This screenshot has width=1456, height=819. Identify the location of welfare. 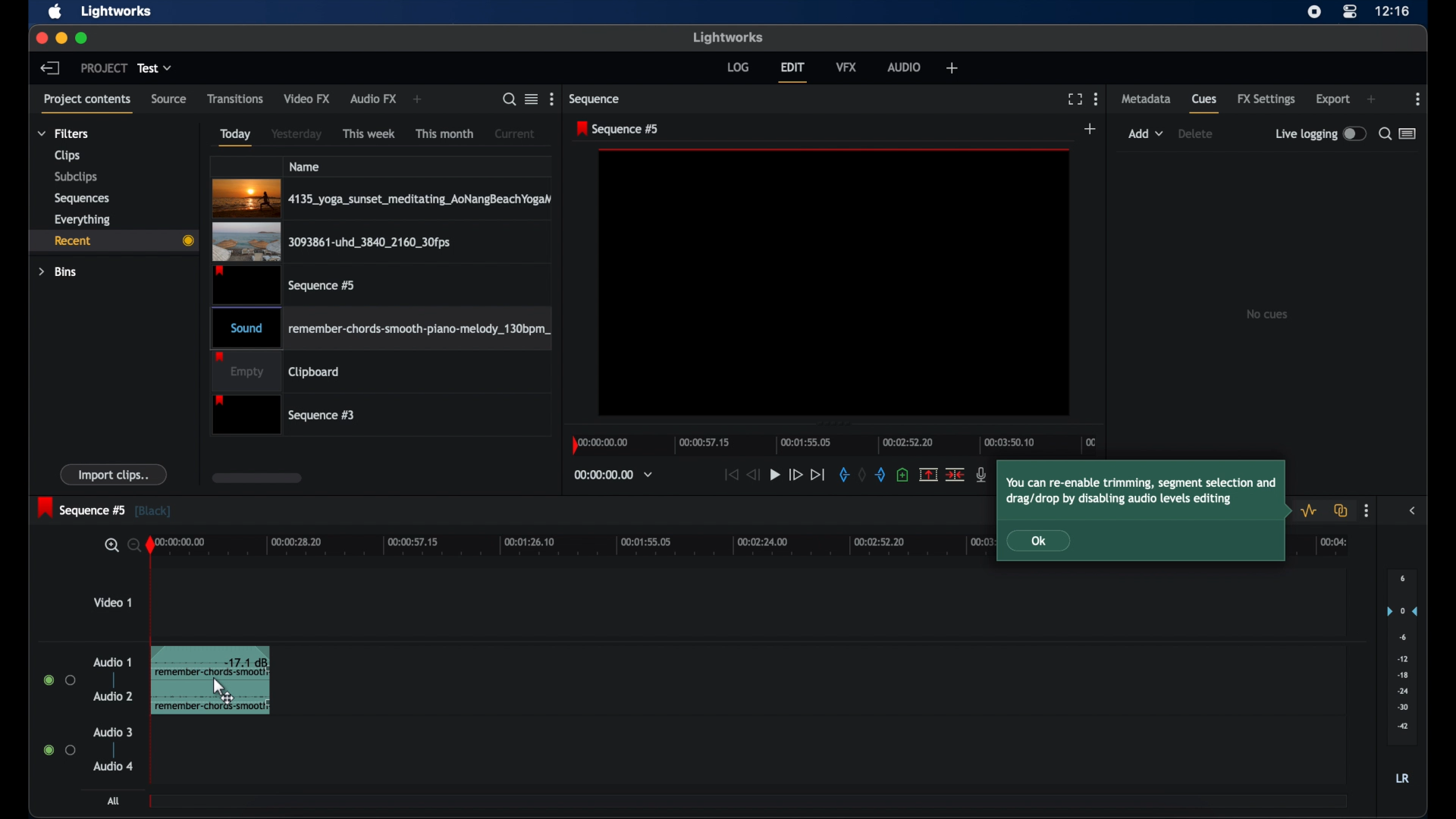
(952, 68).